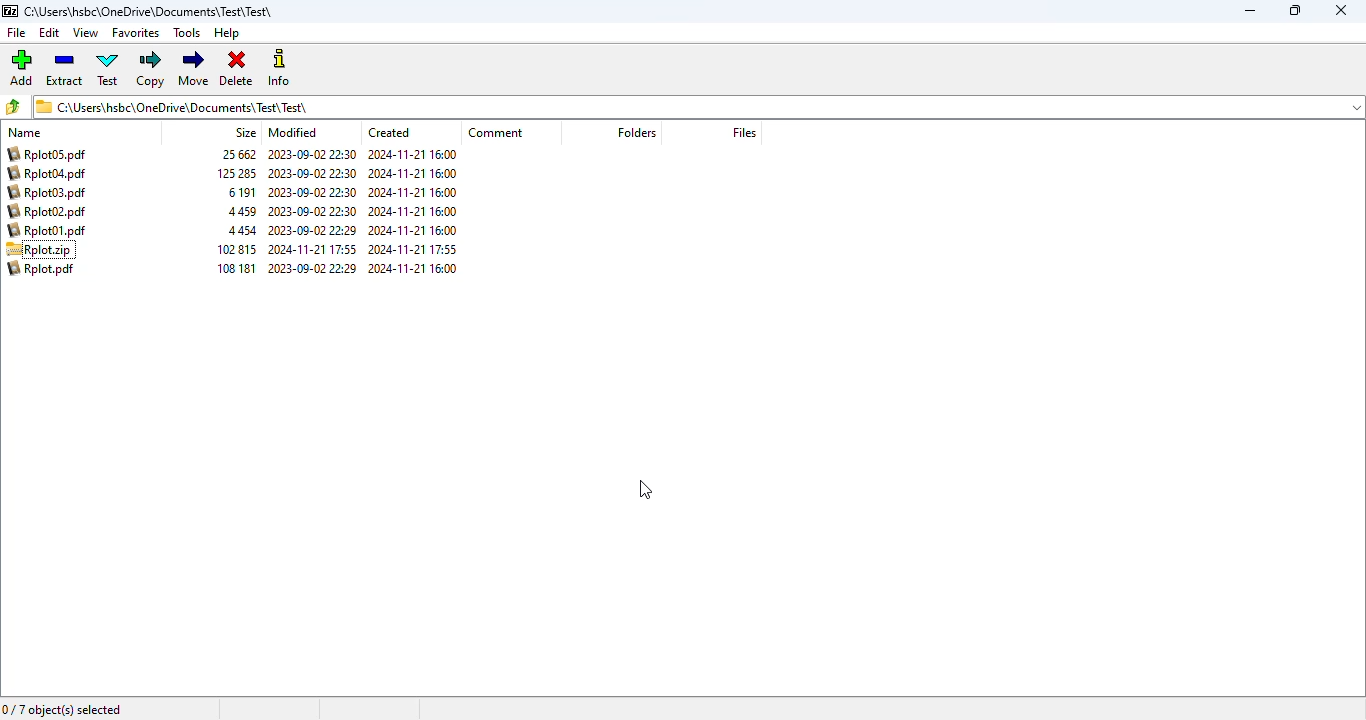 Image resolution: width=1366 pixels, height=720 pixels. Describe the element at coordinates (63, 709) in the screenshot. I see `0/7 object(s) selected` at that location.